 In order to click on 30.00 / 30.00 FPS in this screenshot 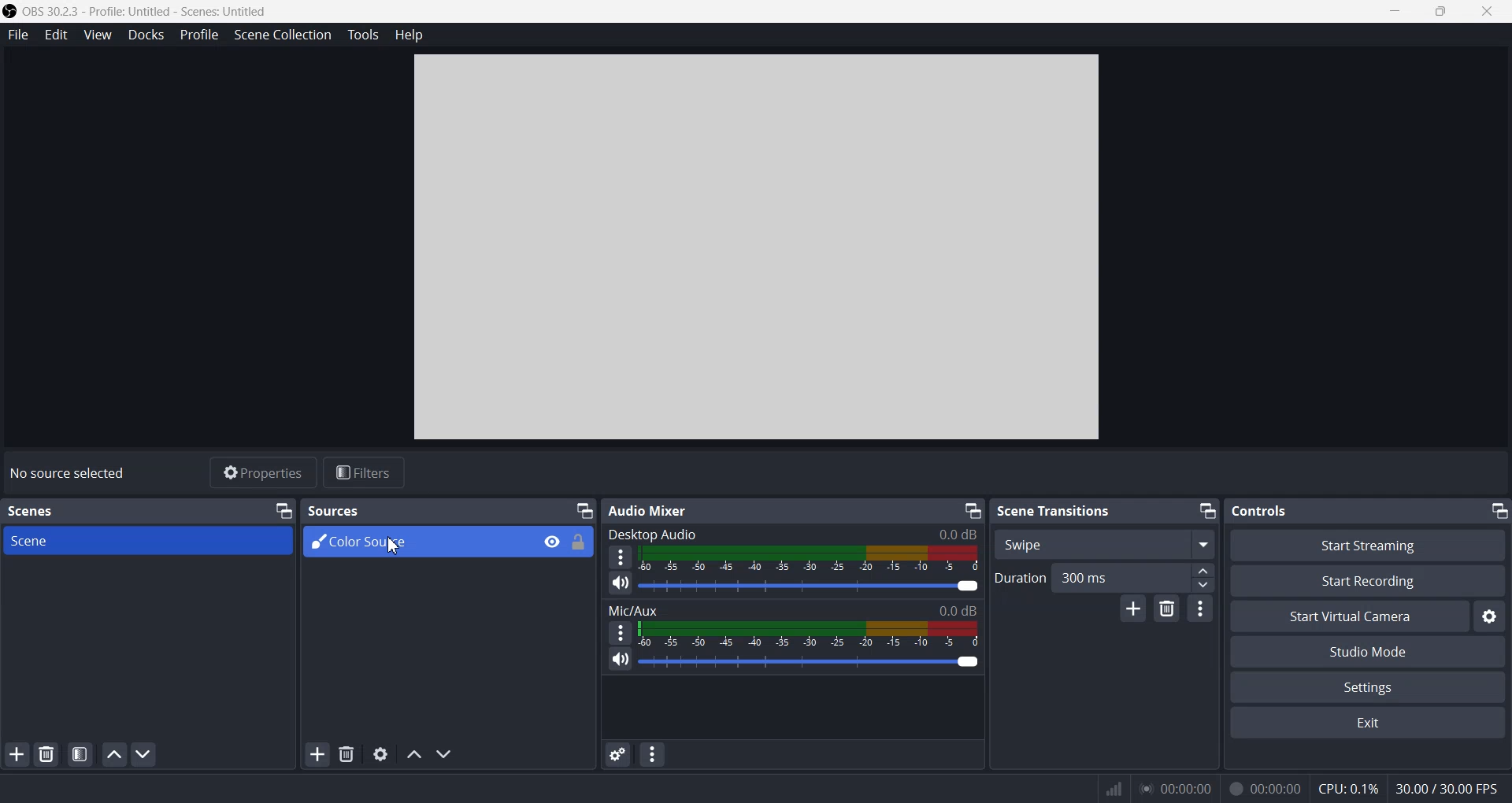, I will do `click(1450, 790)`.